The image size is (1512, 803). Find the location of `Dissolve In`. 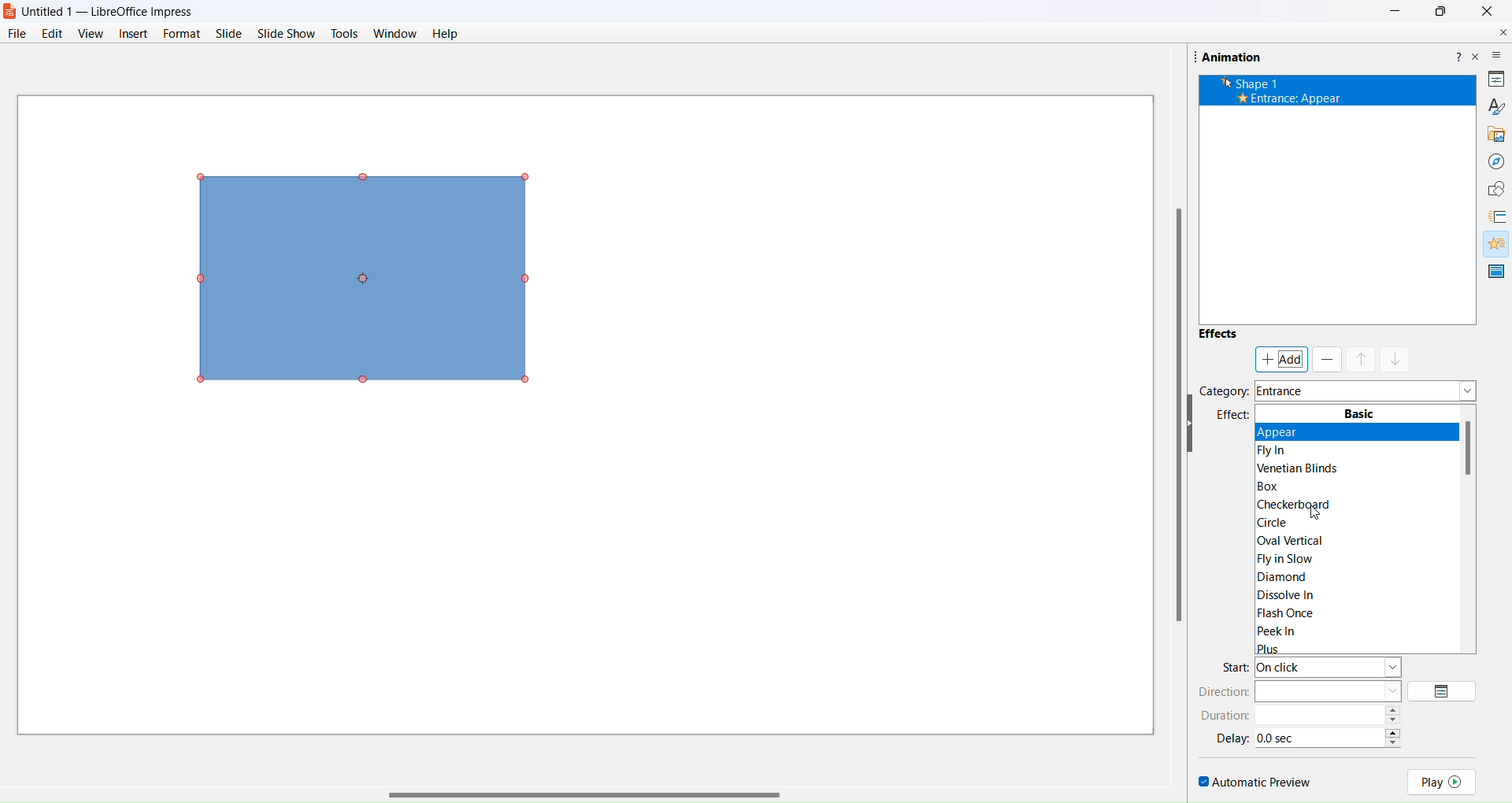

Dissolve In is located at coordinates (1296, 593).